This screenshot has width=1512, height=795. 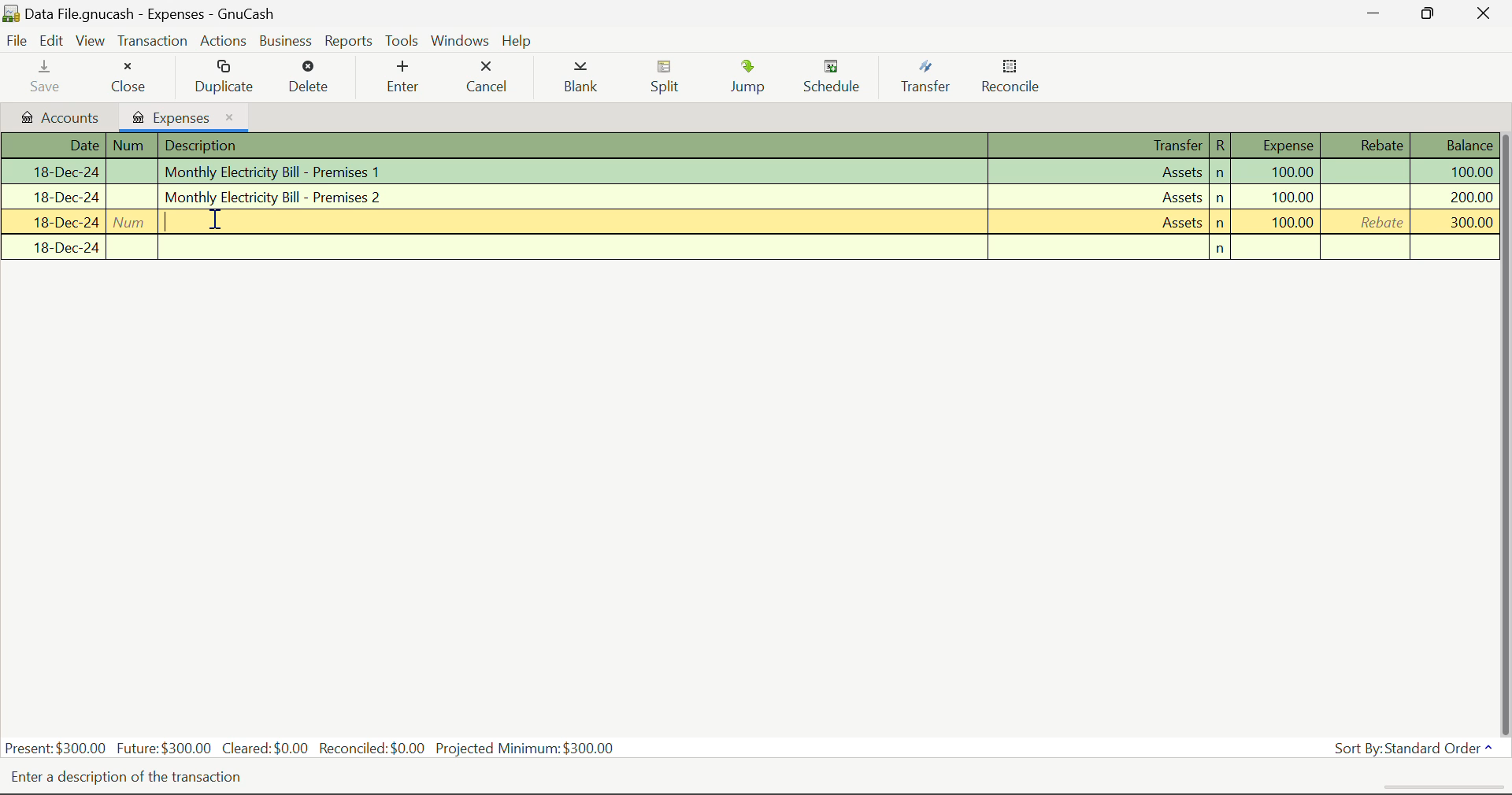 I want to click on Close, so click(x=128, y=79).